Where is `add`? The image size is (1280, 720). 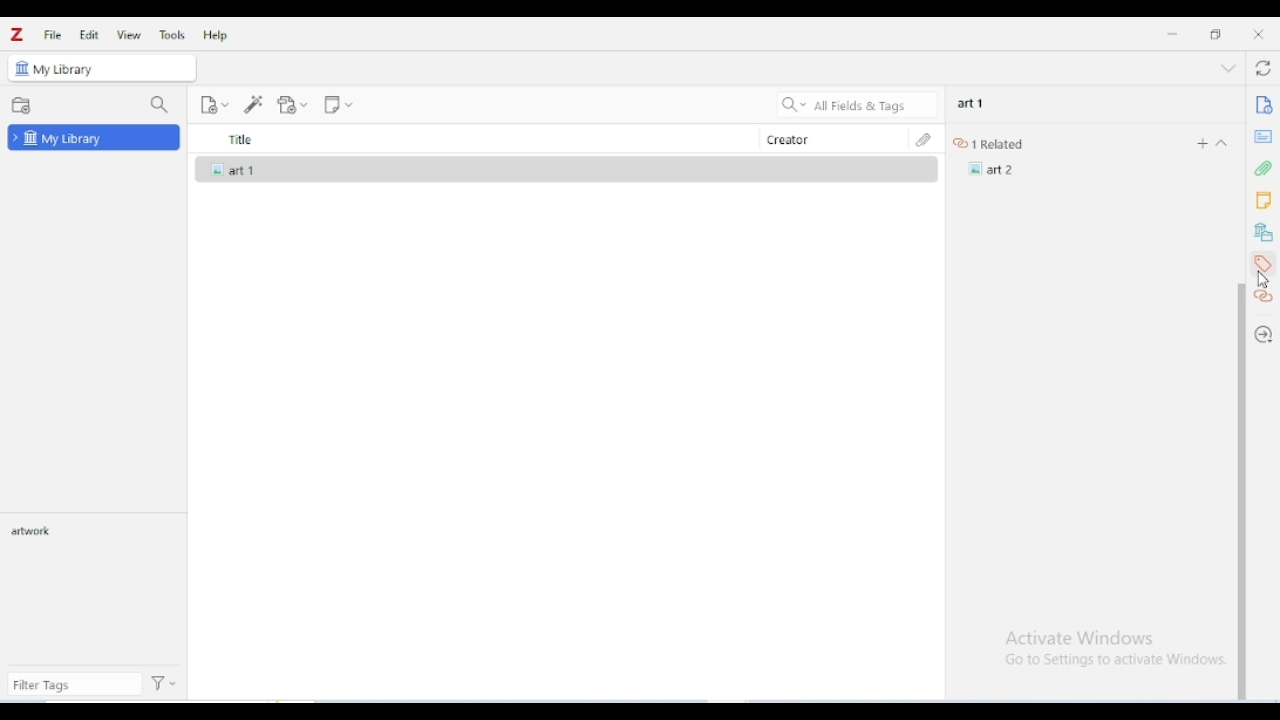 add is located at coordinates (1198, 143).